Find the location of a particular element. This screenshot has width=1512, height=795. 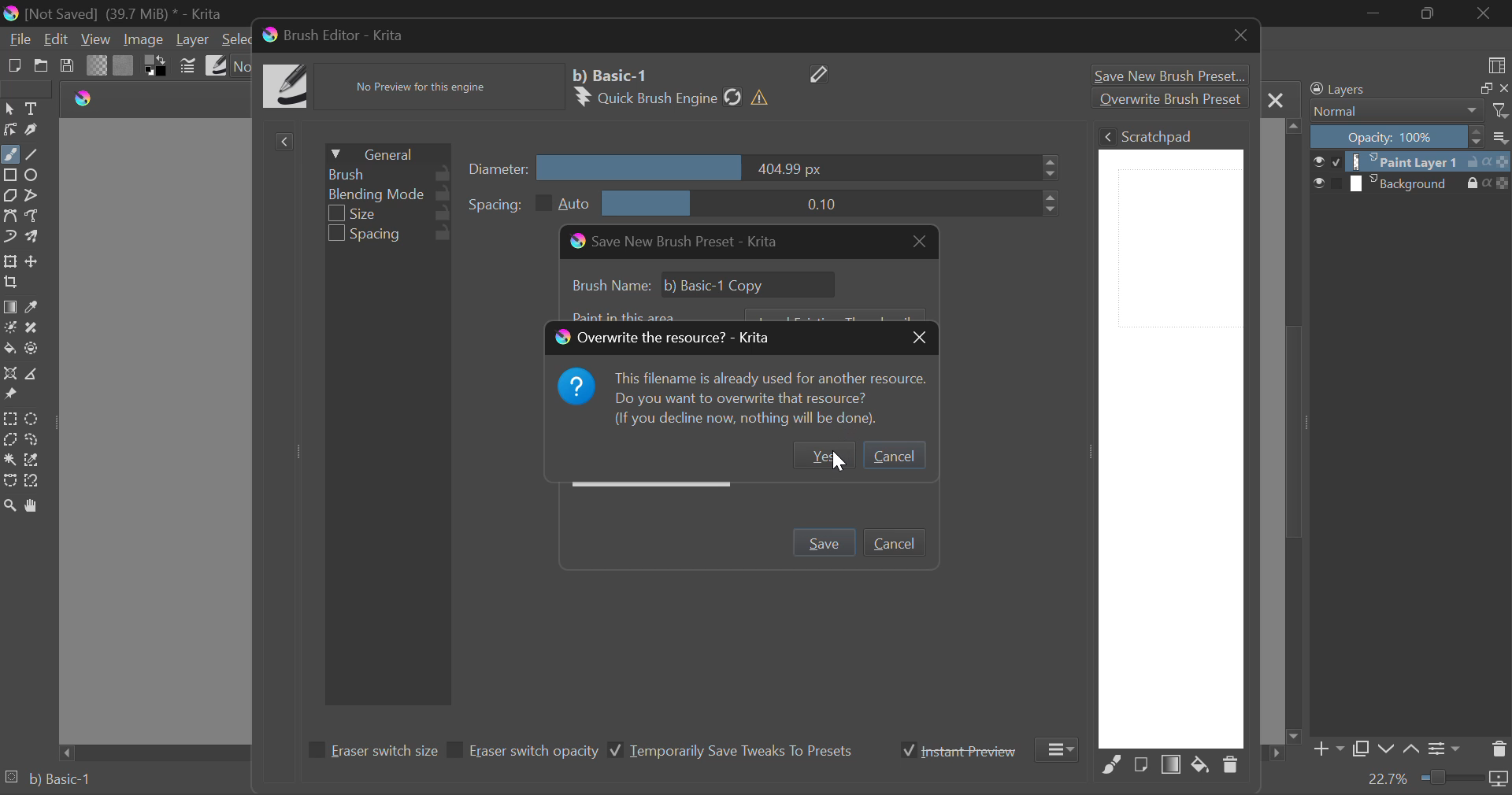

Pr This filename is already used for another resource.
Do you want to overwrite that resource?
(If you decline now, nothing will be done). is located at coordinates (749, 401).